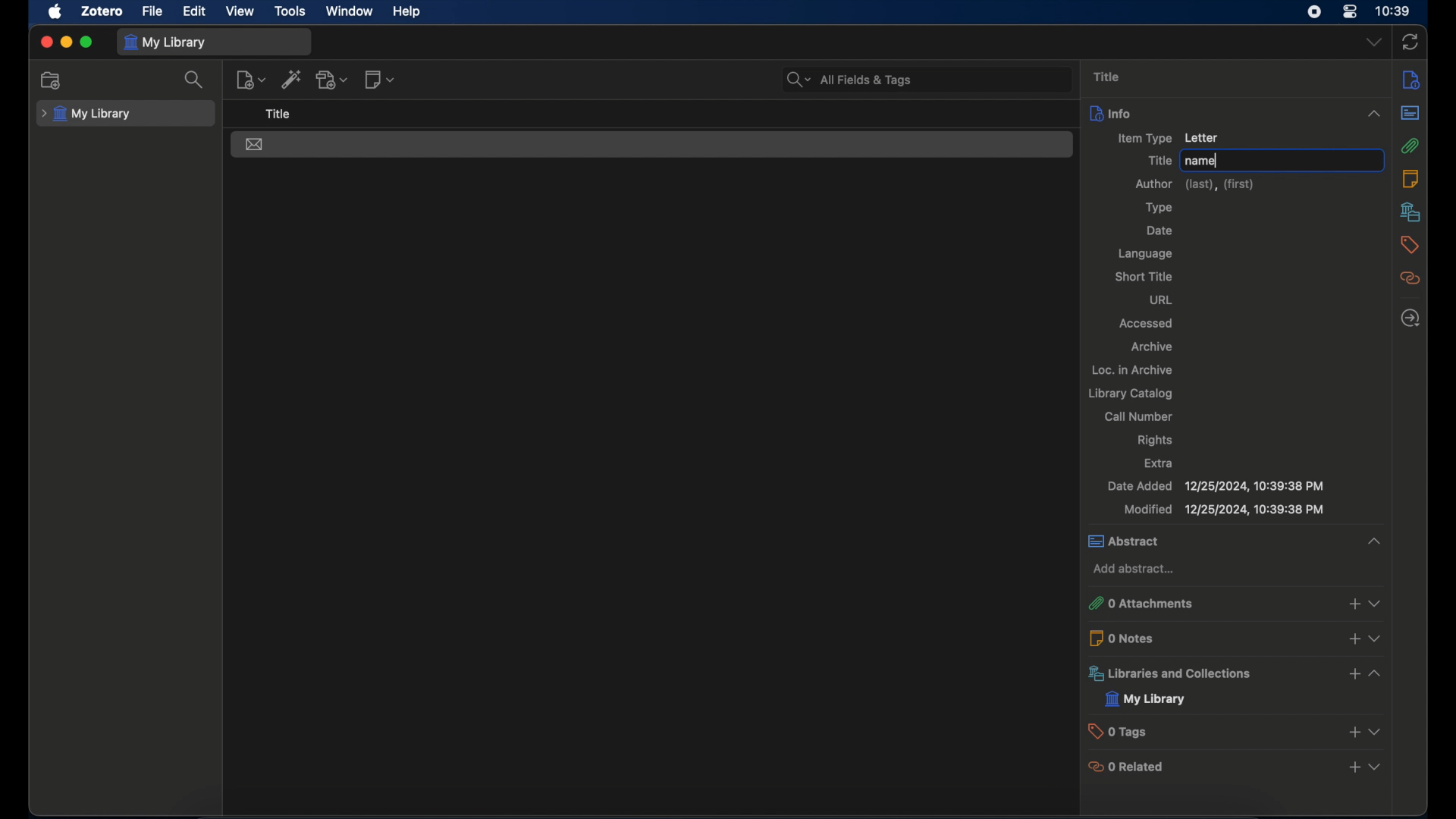 The height and width of the screenshot is (819, 1456). What do you see at coordinates (1210, 137) in the screenshot?
I see `Letter` at bounding box center [1210, 137].